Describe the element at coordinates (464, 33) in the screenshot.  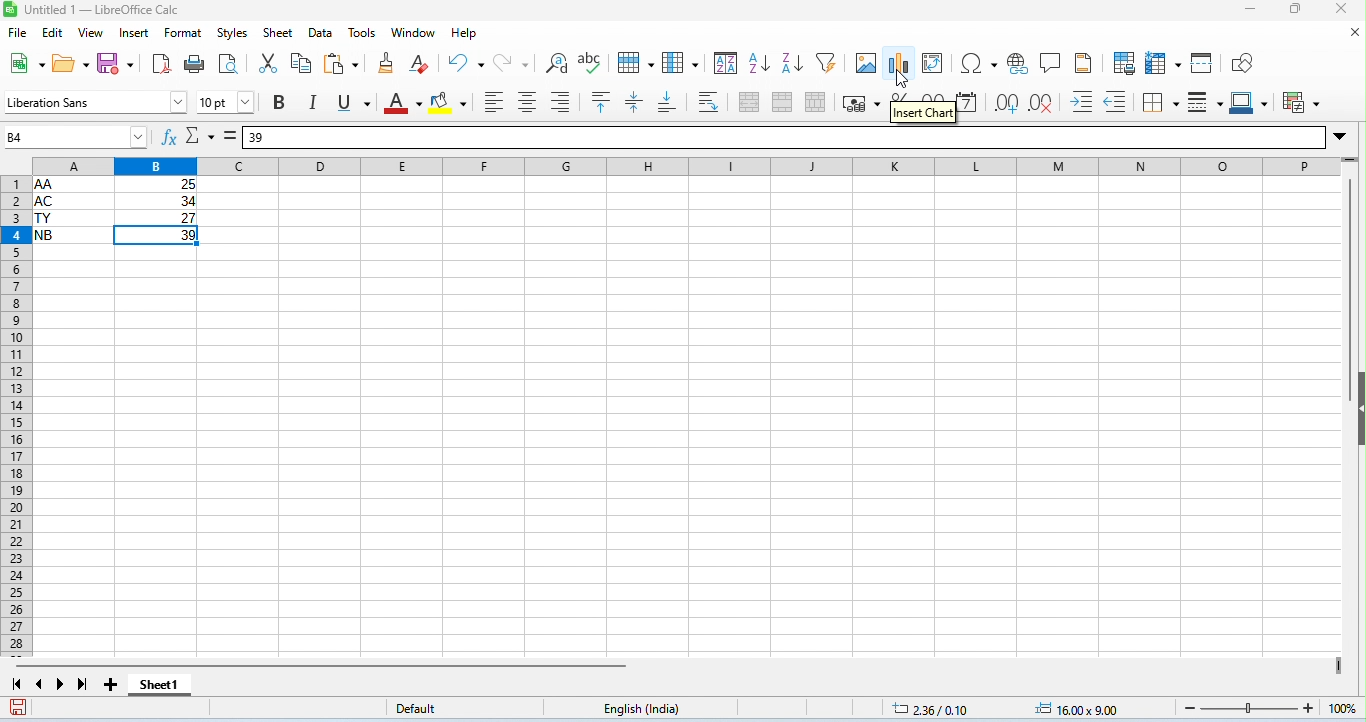
I see `help` at that location.